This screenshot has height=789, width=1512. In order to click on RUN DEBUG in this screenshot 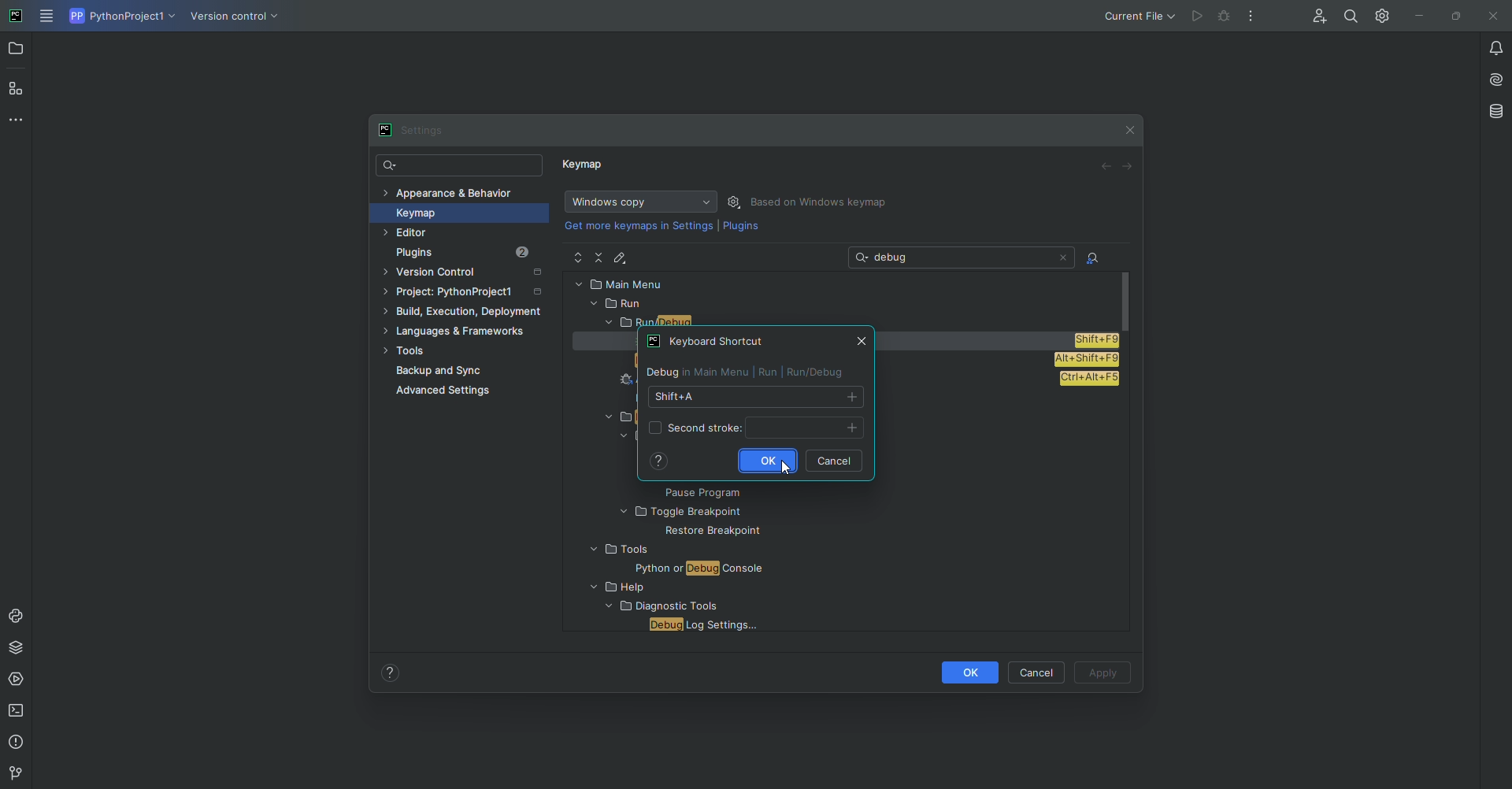, I will do `click(854, 318)`.